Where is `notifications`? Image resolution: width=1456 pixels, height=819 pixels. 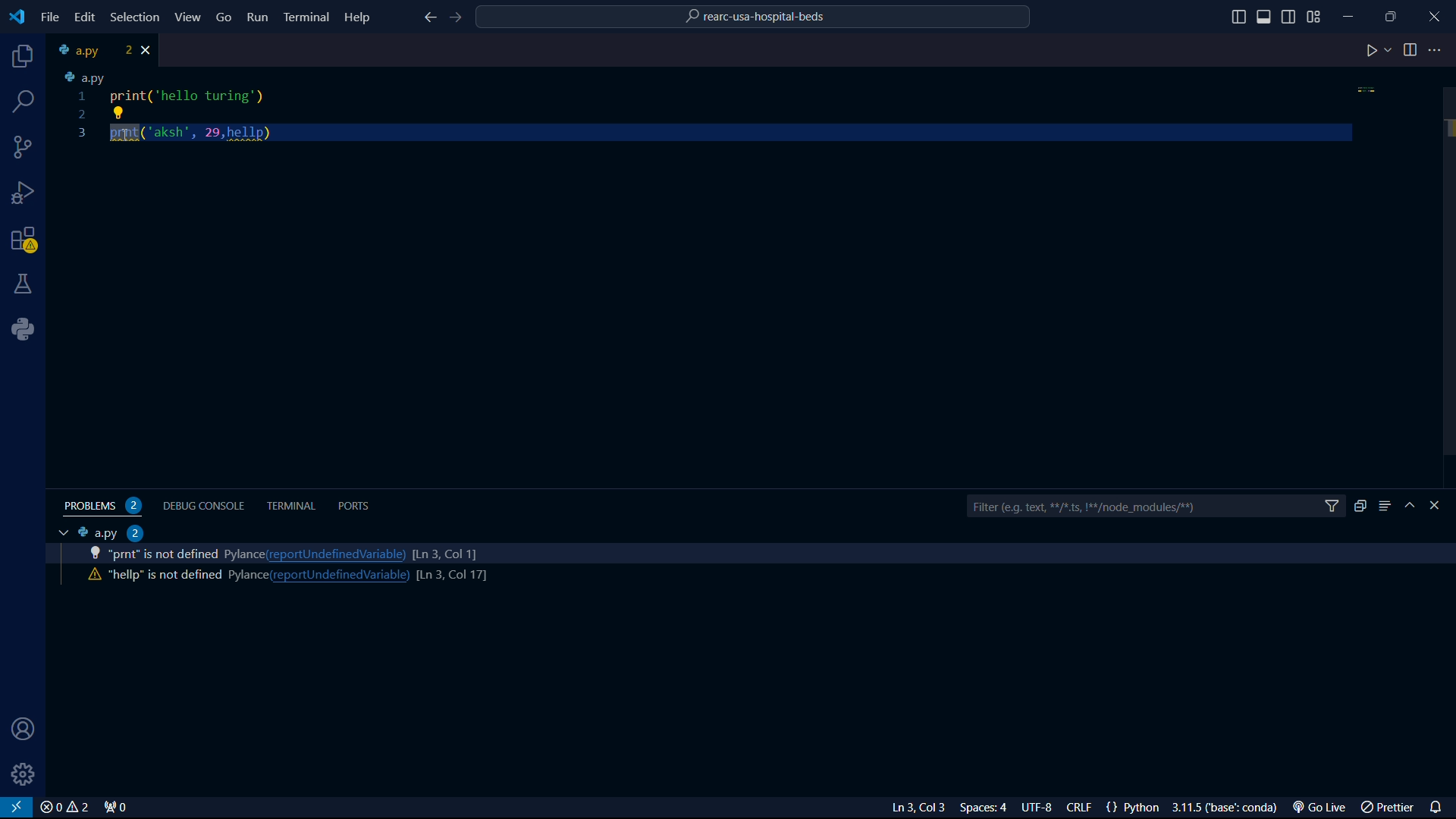
notifications is located at coordinates (1439, 805).